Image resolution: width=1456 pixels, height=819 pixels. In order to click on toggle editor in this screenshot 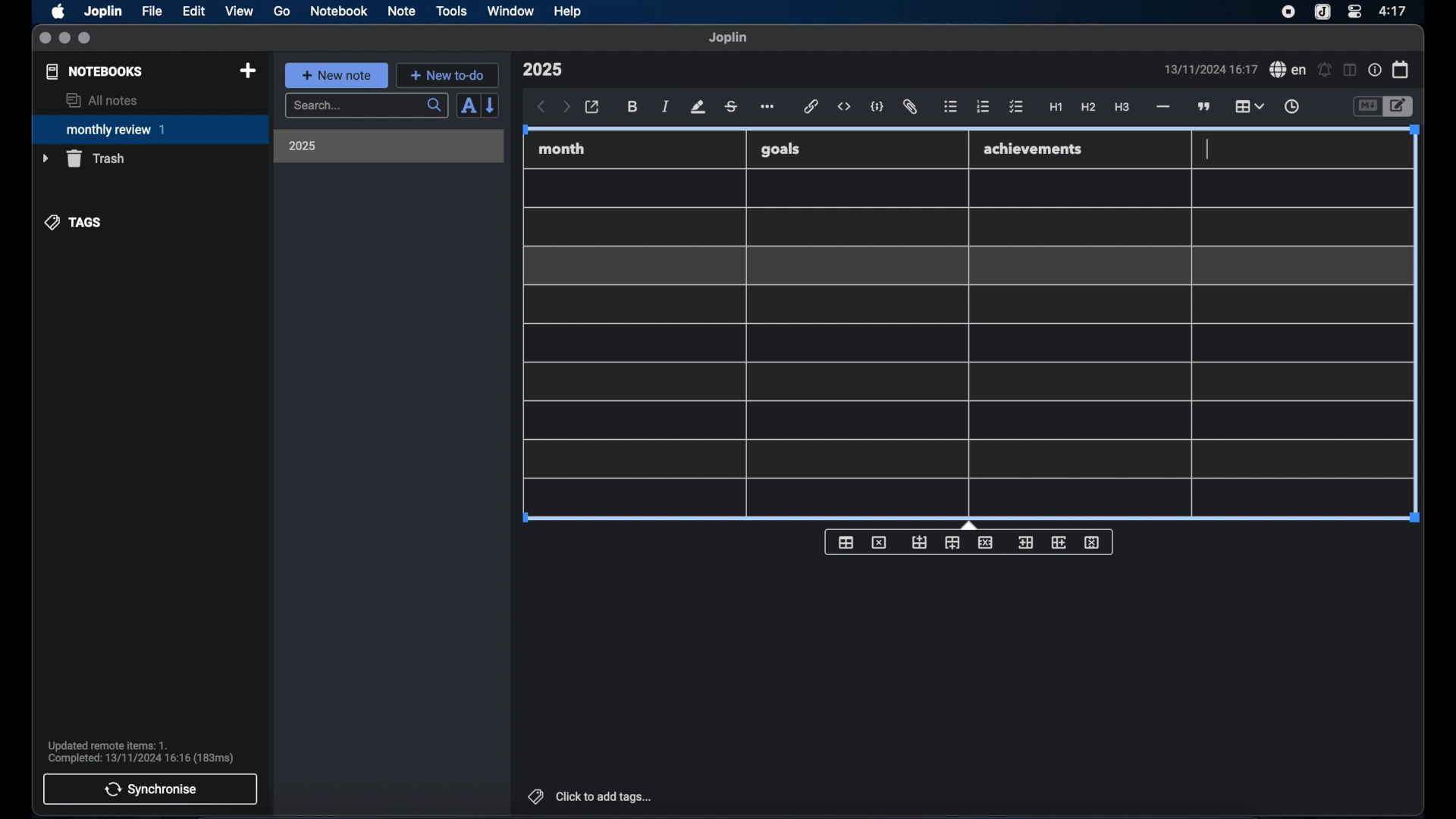, I will do `click(1401, 107)`.